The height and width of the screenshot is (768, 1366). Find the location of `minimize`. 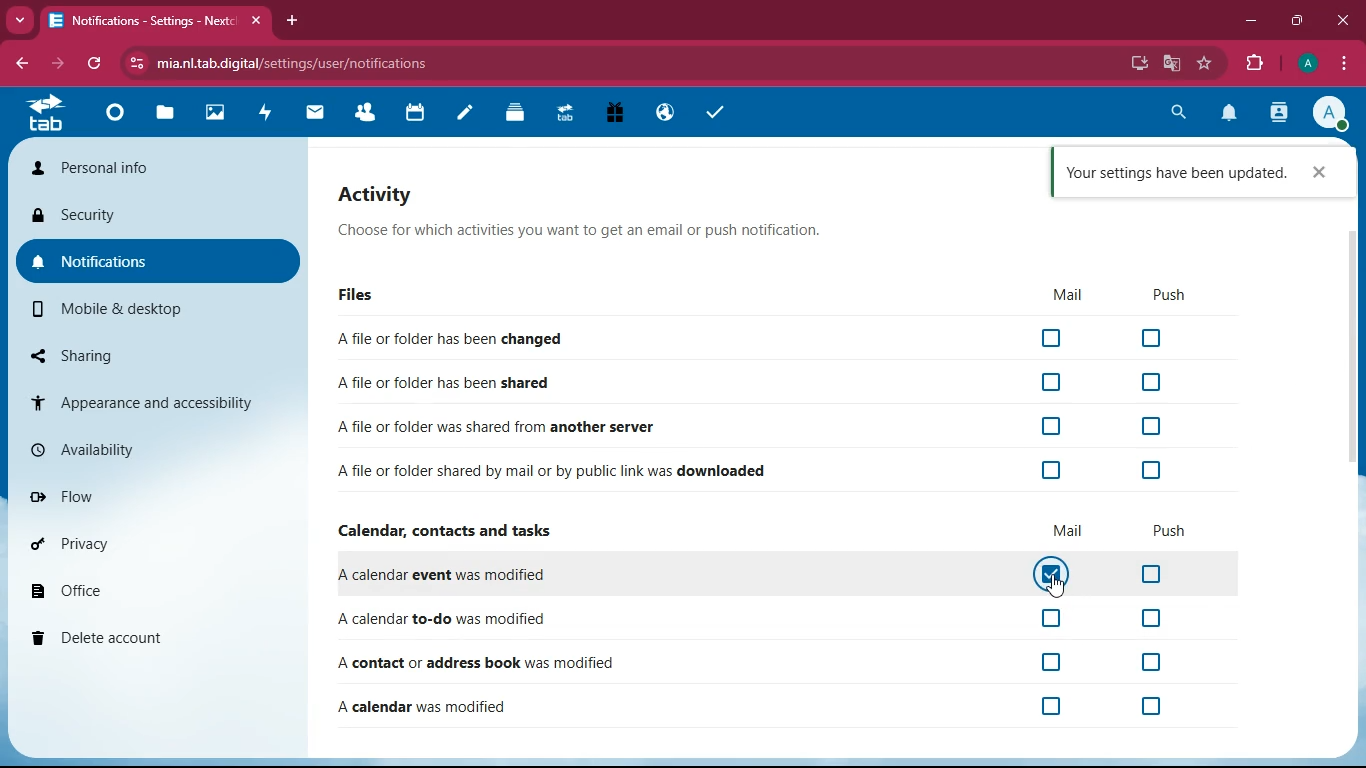

minimize is located at coordinates (1250, 22).